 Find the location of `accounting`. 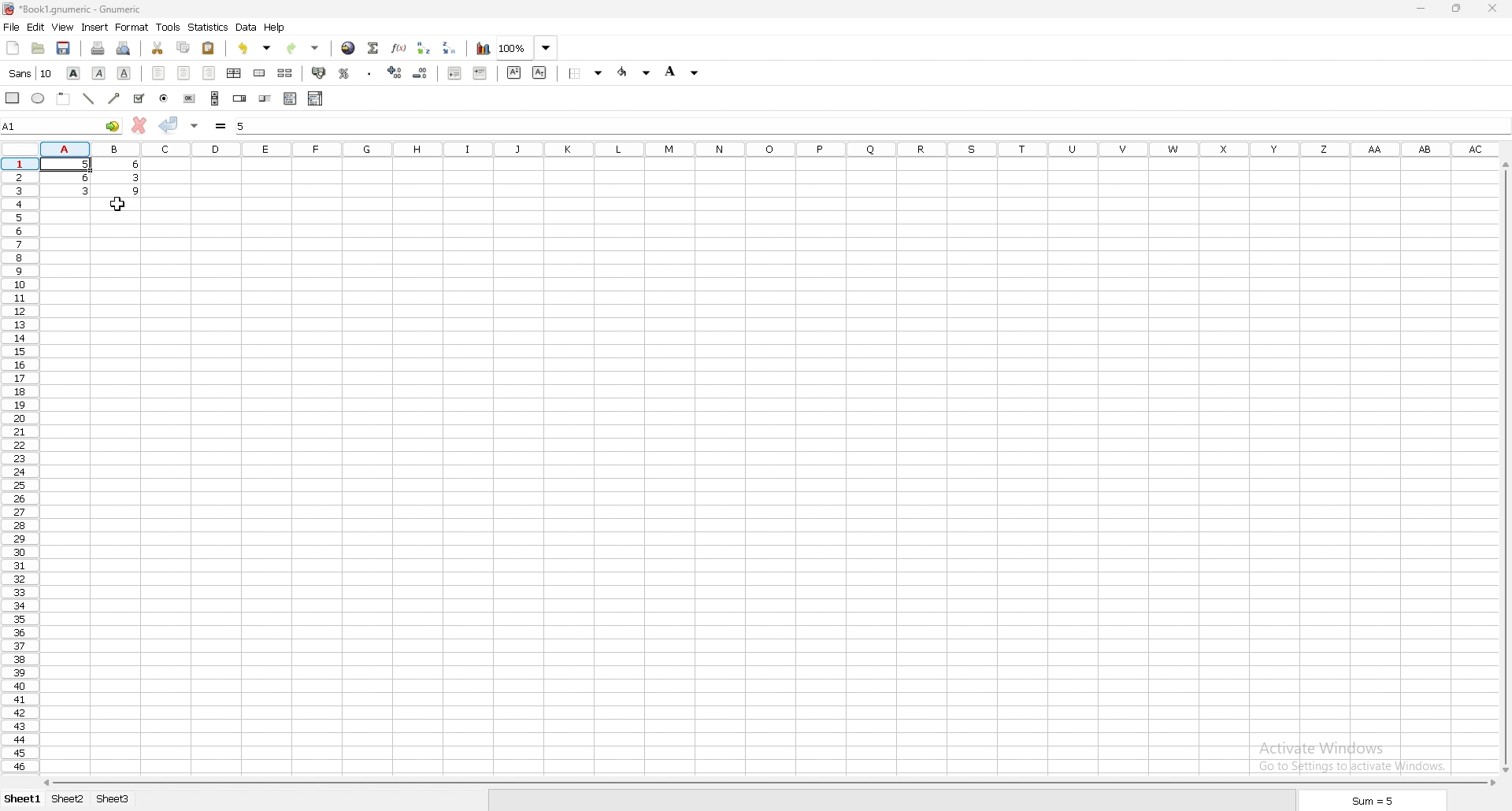

accounting is located at coordinates (318, 72).